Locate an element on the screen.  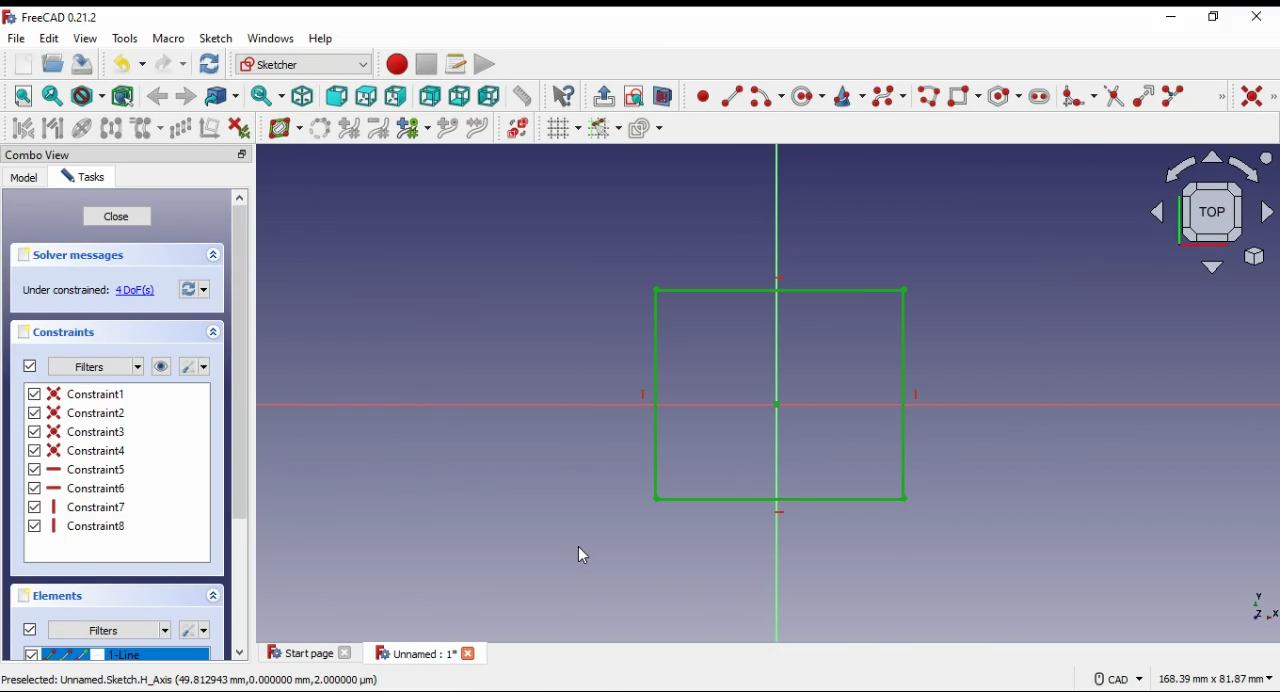
create arc is located at coordinates (767, 96).